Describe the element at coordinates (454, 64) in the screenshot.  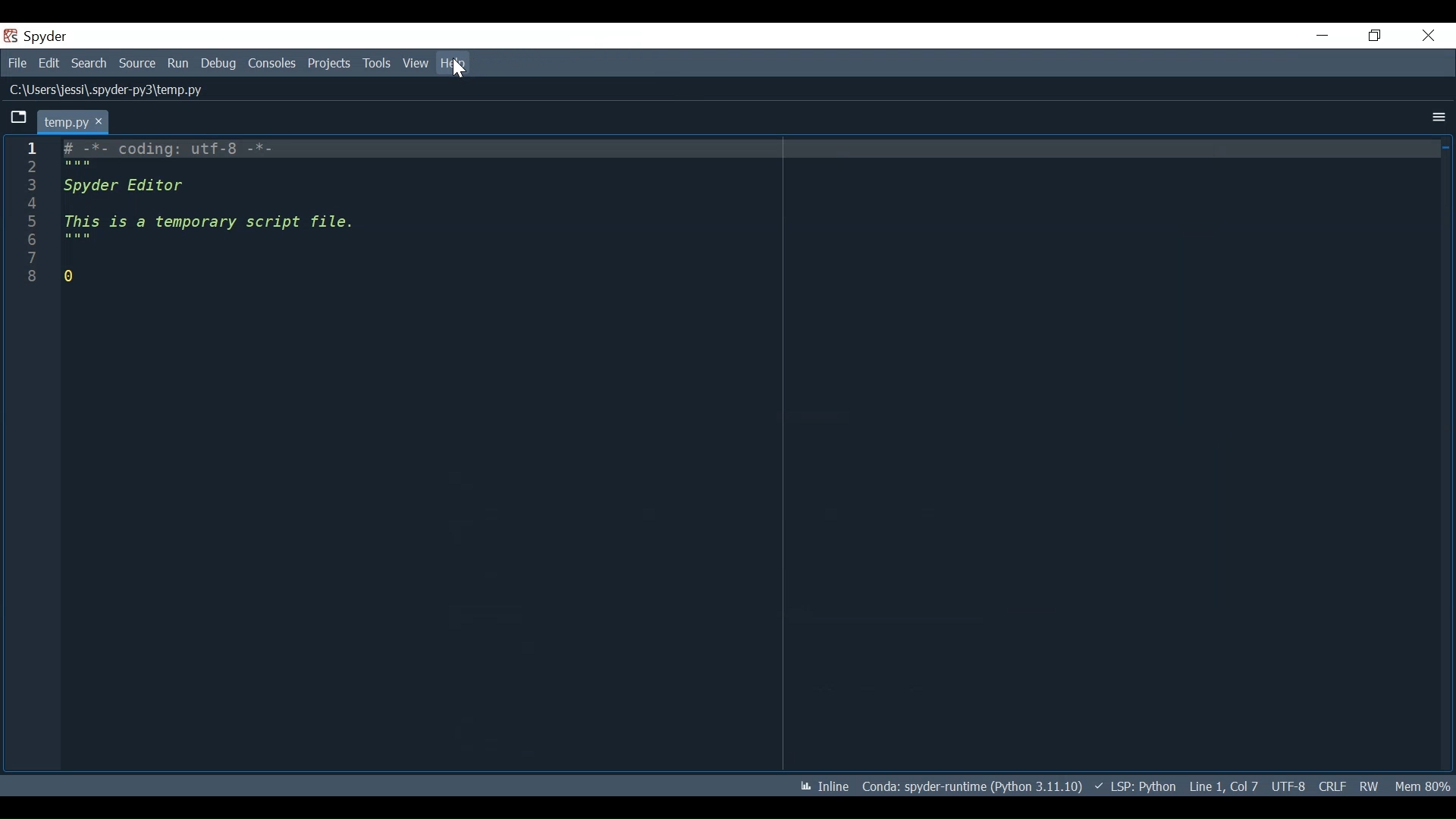
I see `Help` at that location.